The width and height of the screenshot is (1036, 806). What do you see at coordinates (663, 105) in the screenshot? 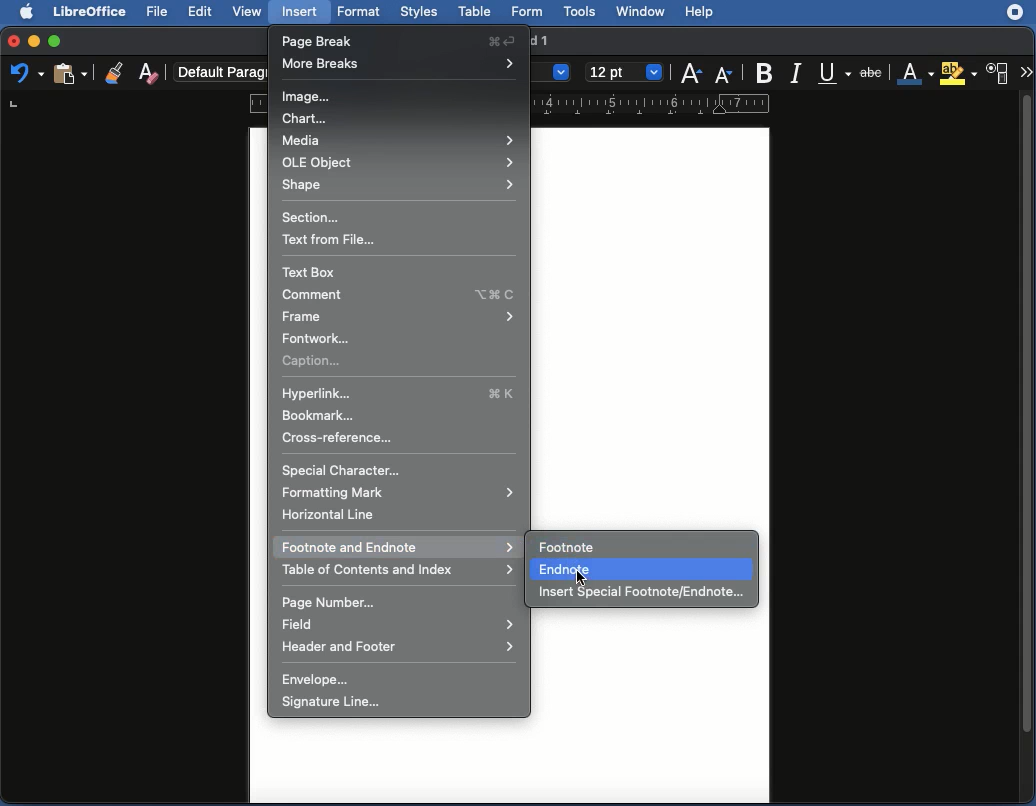
I see `Ruler` at bounding box center [663, 105].